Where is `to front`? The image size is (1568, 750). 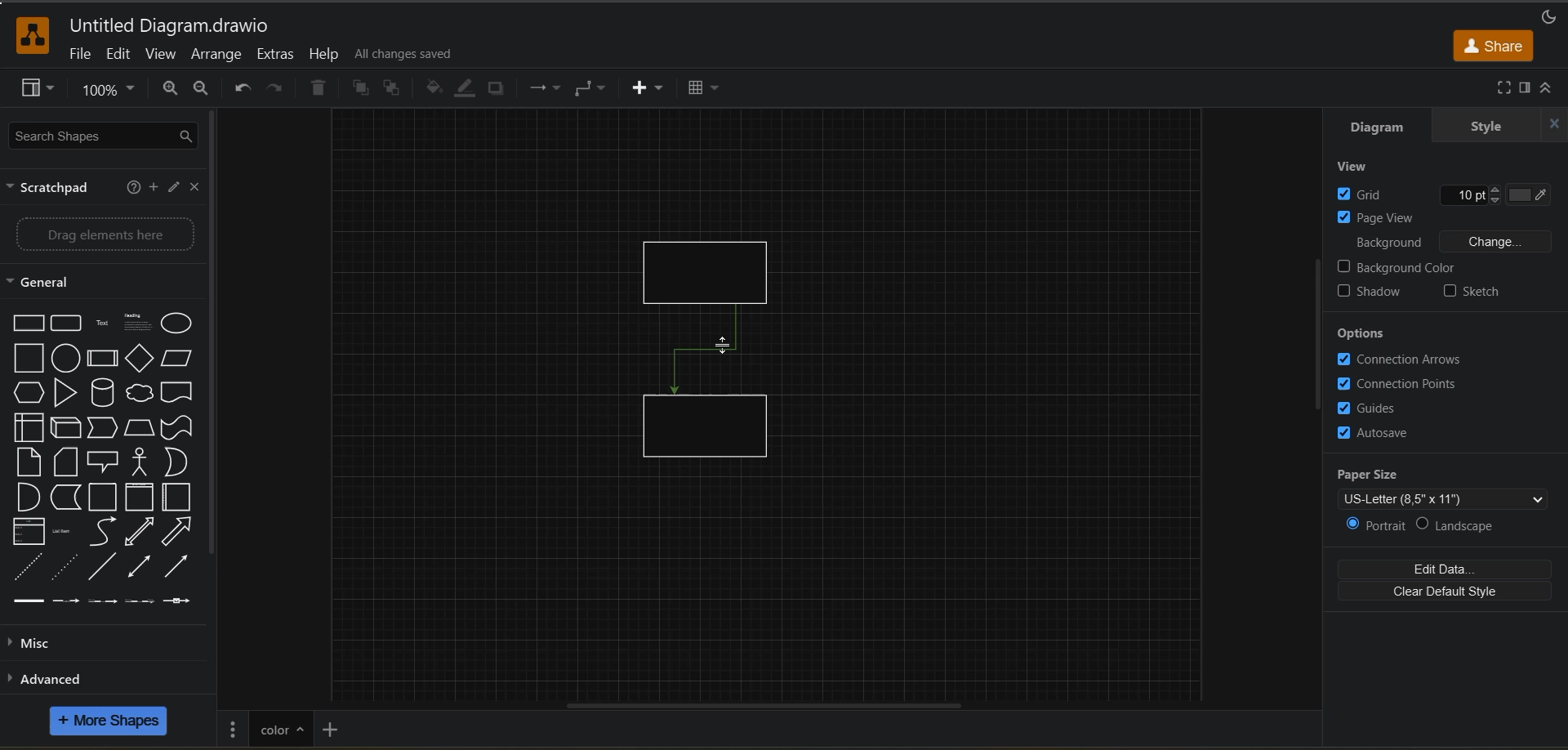 to front is located at coordinates (362, 88).